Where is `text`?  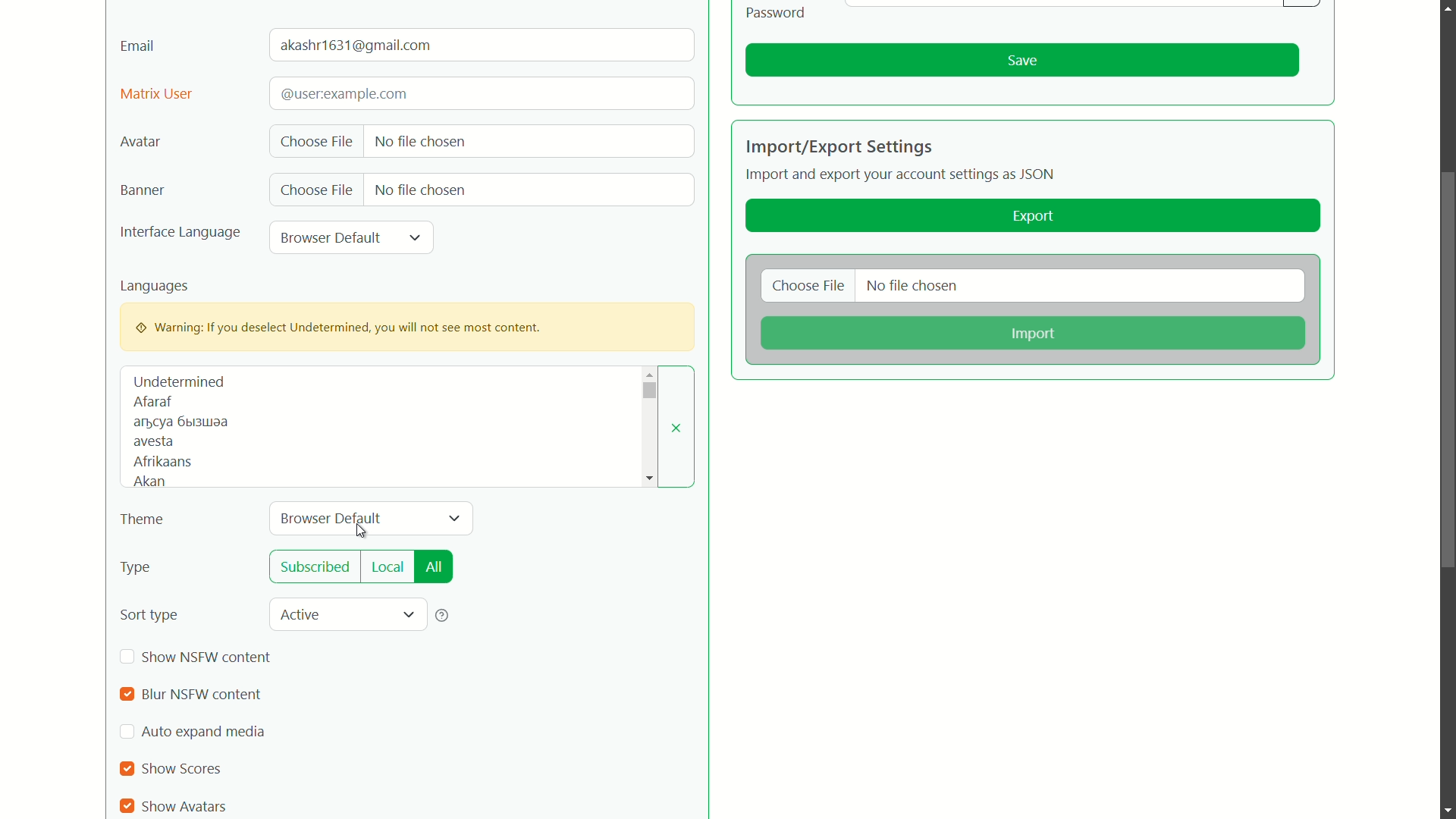 text is located at coordinates (342, 93).